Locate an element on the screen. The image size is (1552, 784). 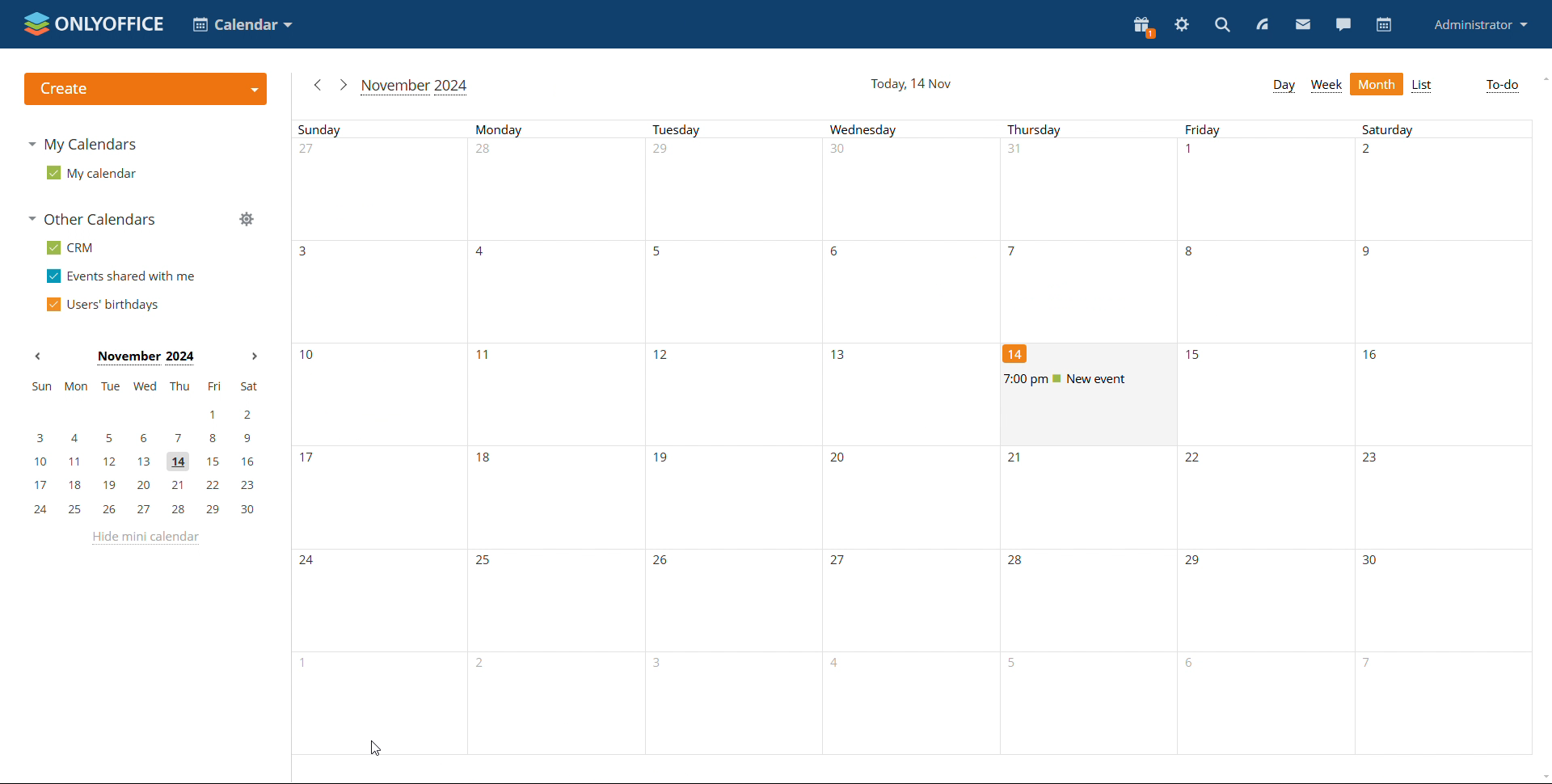
chat is located at coordinates (1343, 23).